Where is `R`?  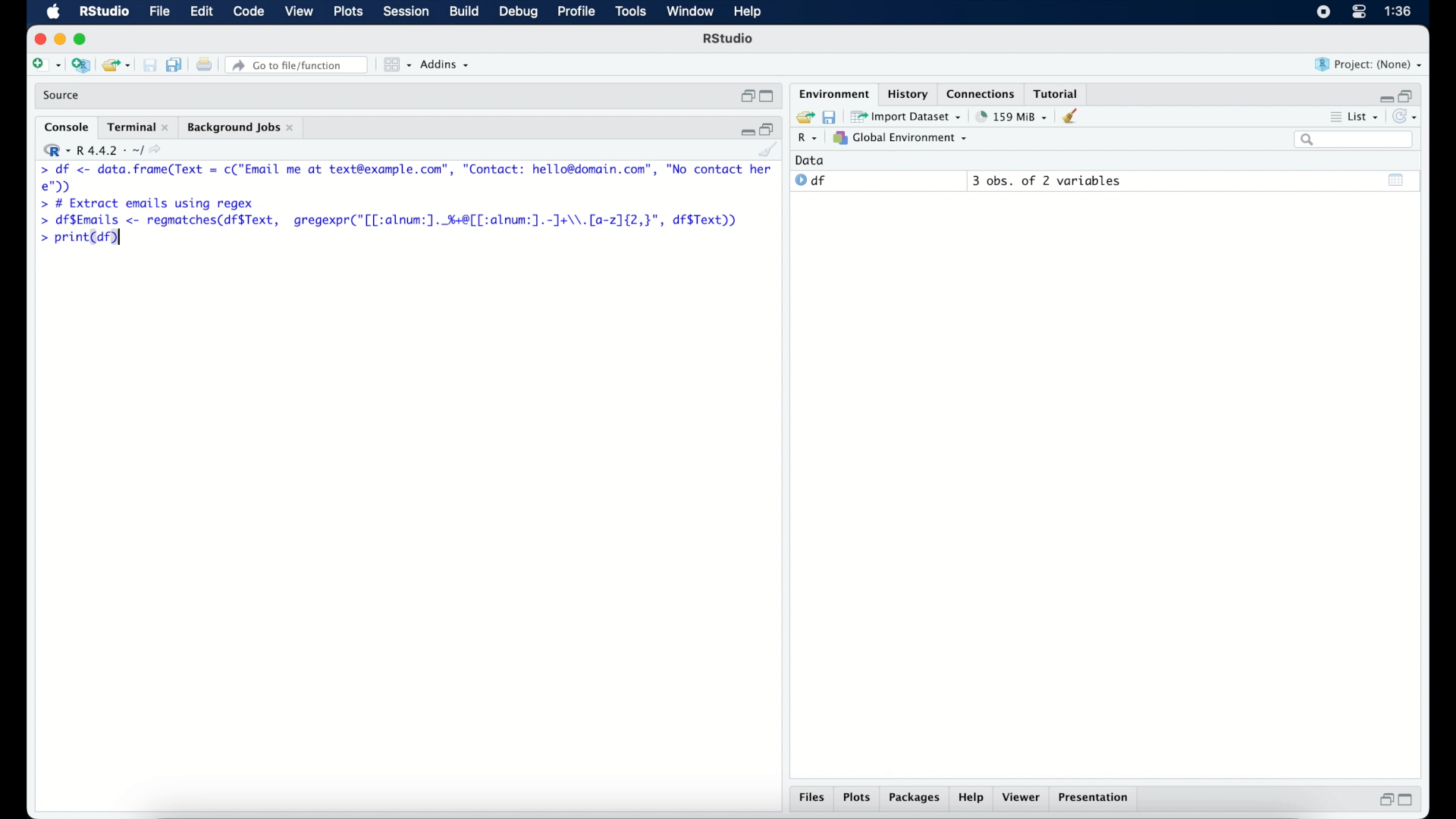
R is located at coordinates (806, 139).